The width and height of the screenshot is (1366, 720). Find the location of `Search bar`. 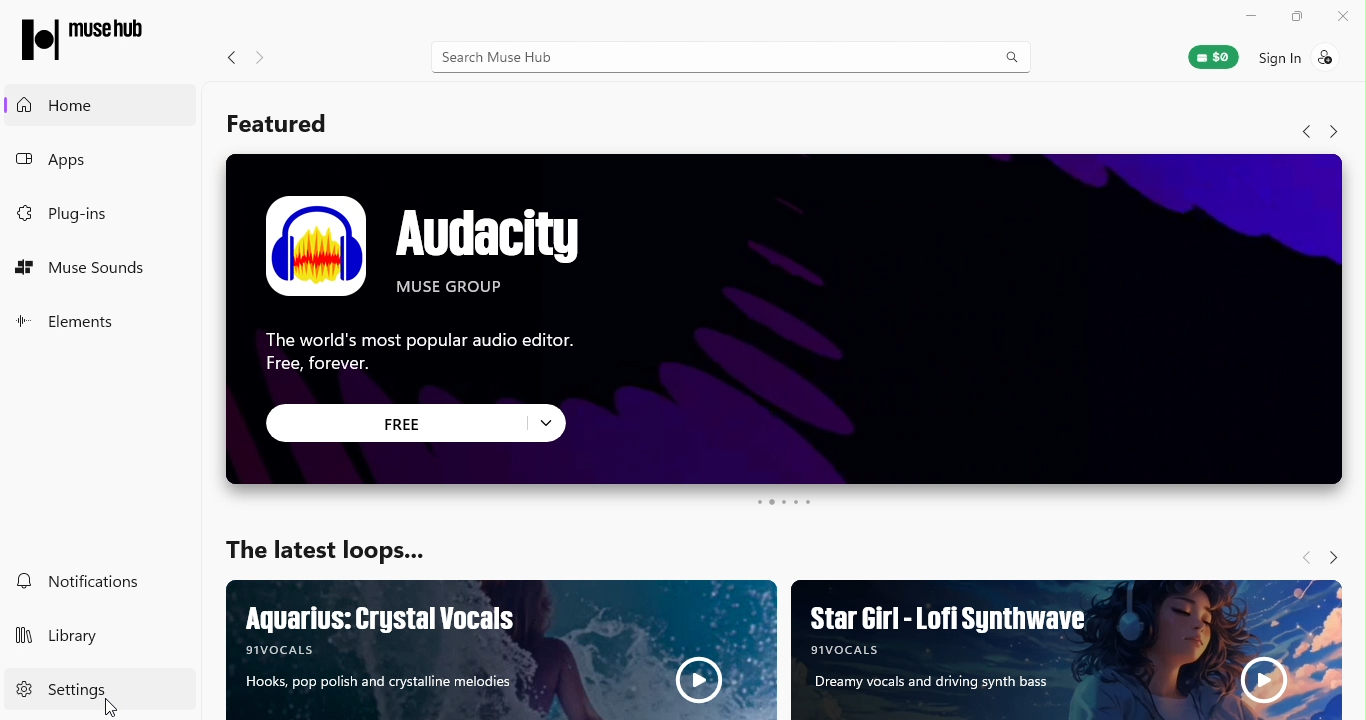

Search bar is located at coordinates (732, 60).